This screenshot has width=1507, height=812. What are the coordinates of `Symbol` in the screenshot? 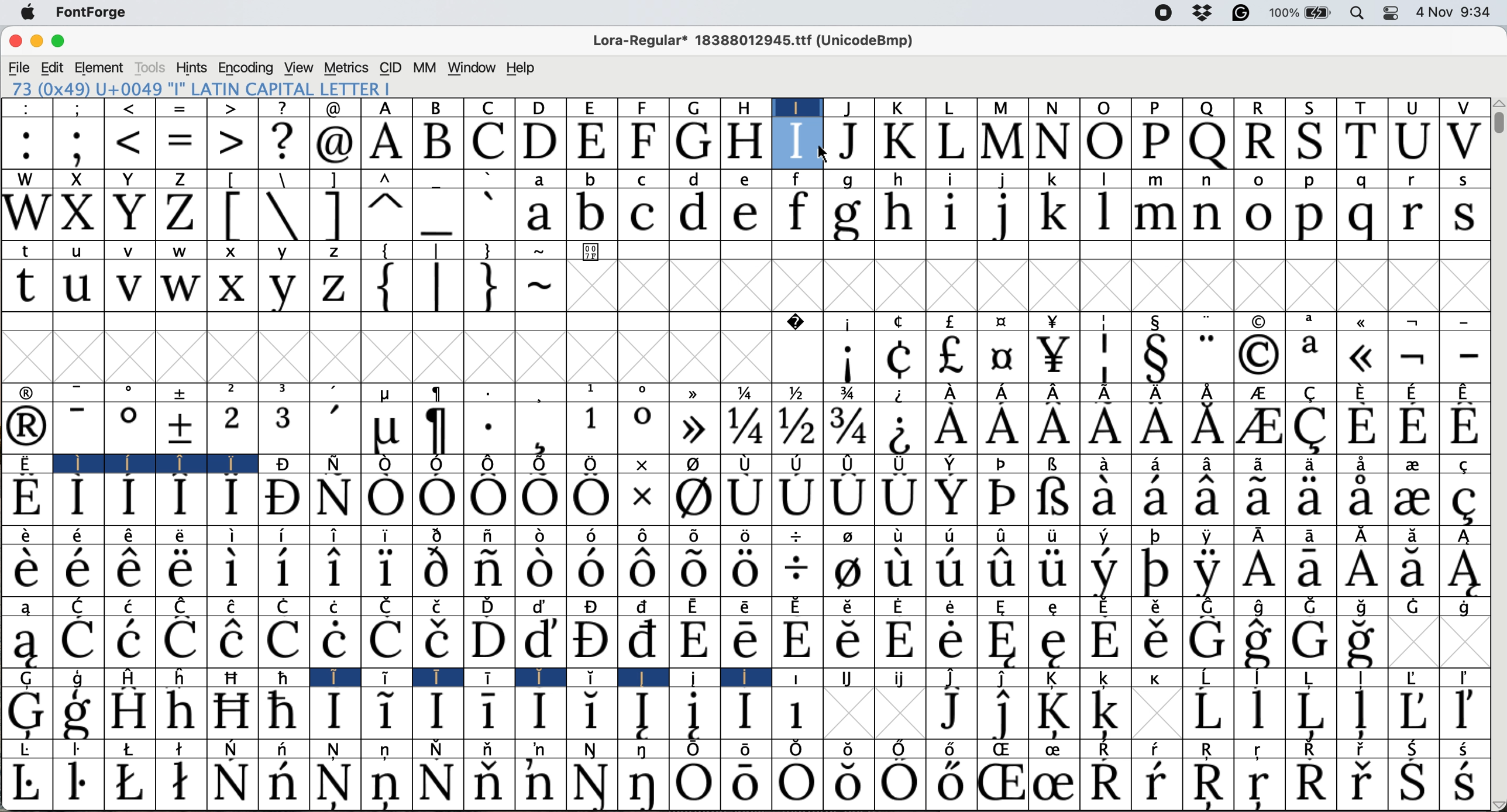 It's located at (954, 749).